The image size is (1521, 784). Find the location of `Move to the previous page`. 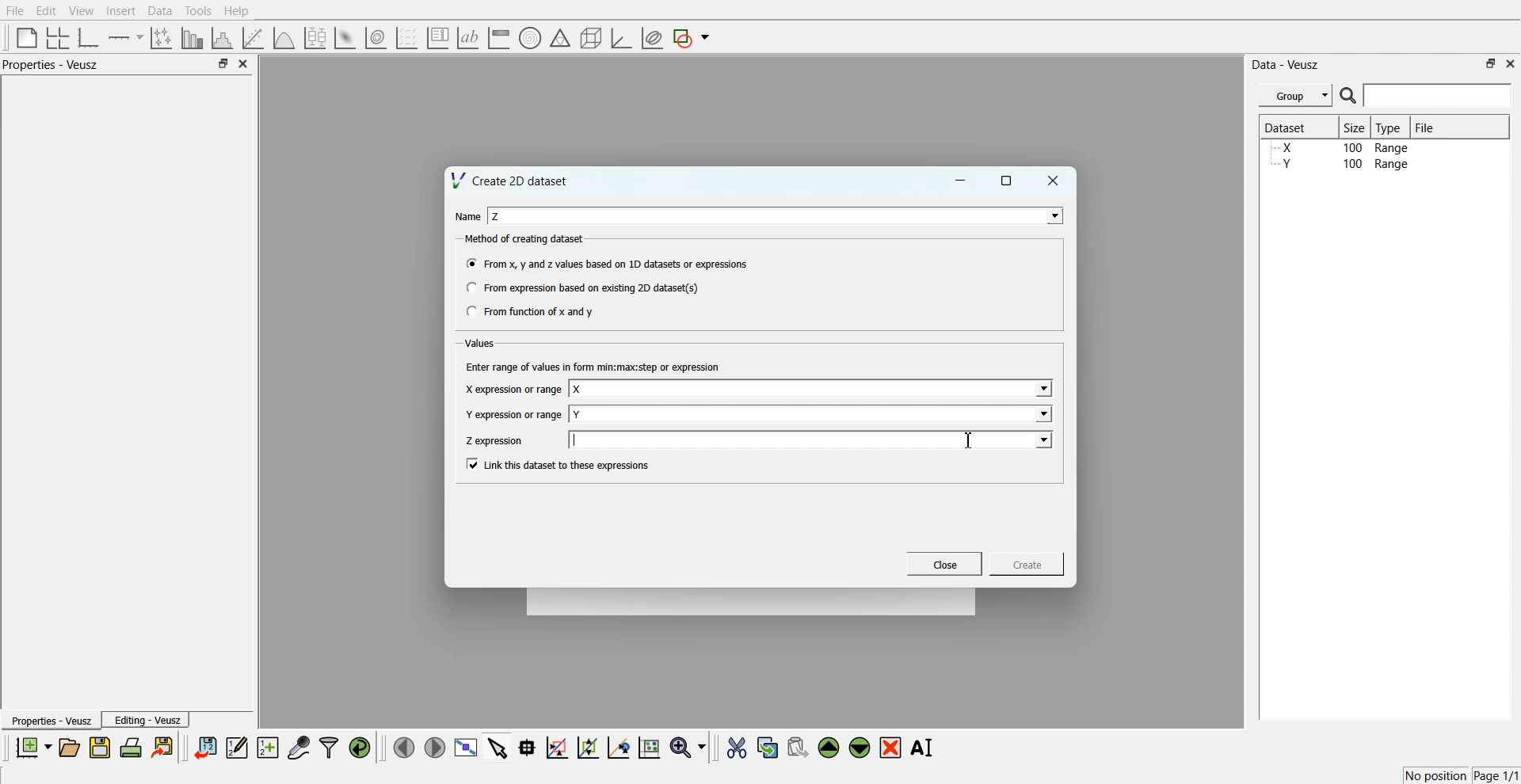

Move to the previous page is located at coordinates (404, 747).